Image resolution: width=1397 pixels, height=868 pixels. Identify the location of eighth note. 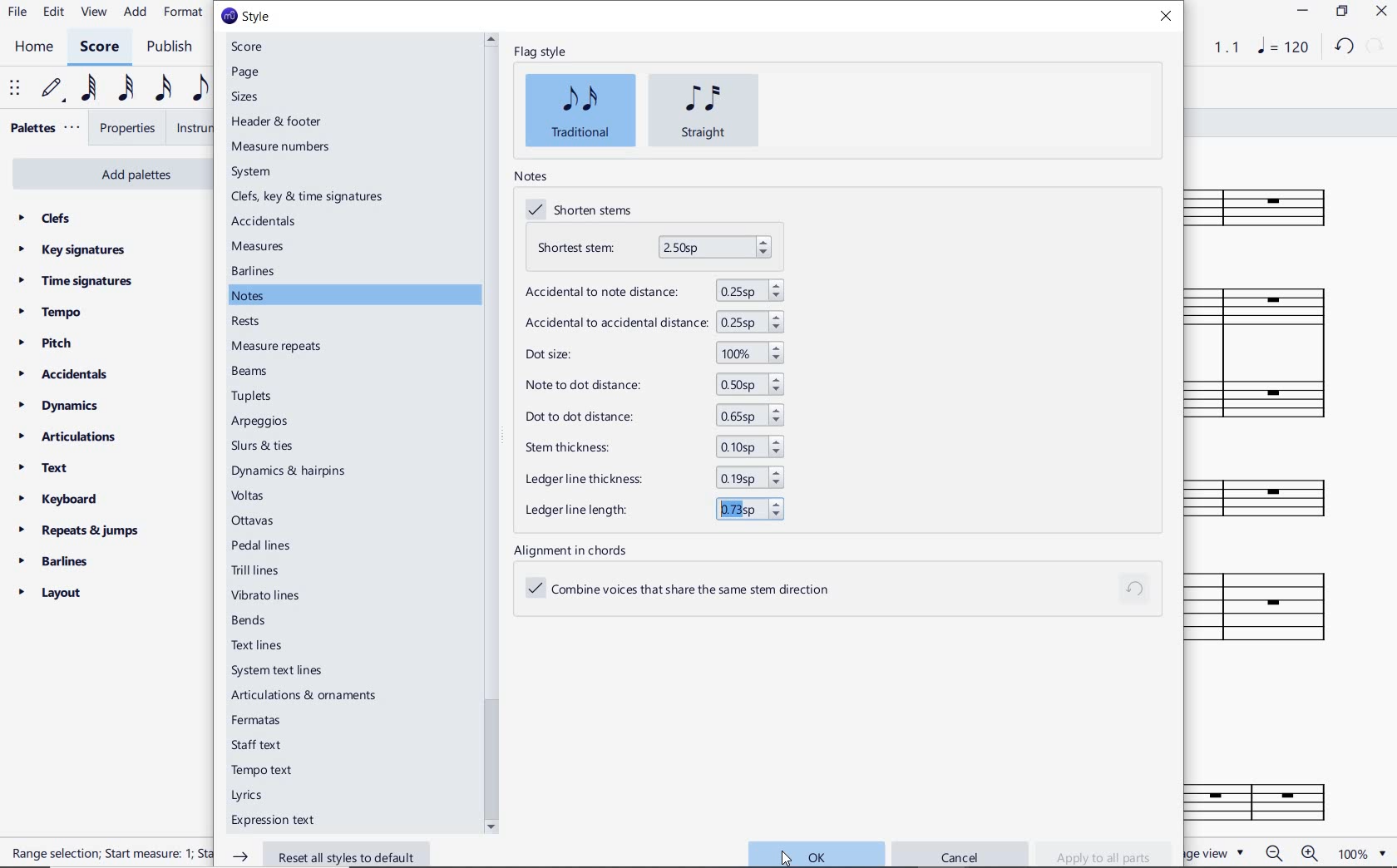
(200, 89).